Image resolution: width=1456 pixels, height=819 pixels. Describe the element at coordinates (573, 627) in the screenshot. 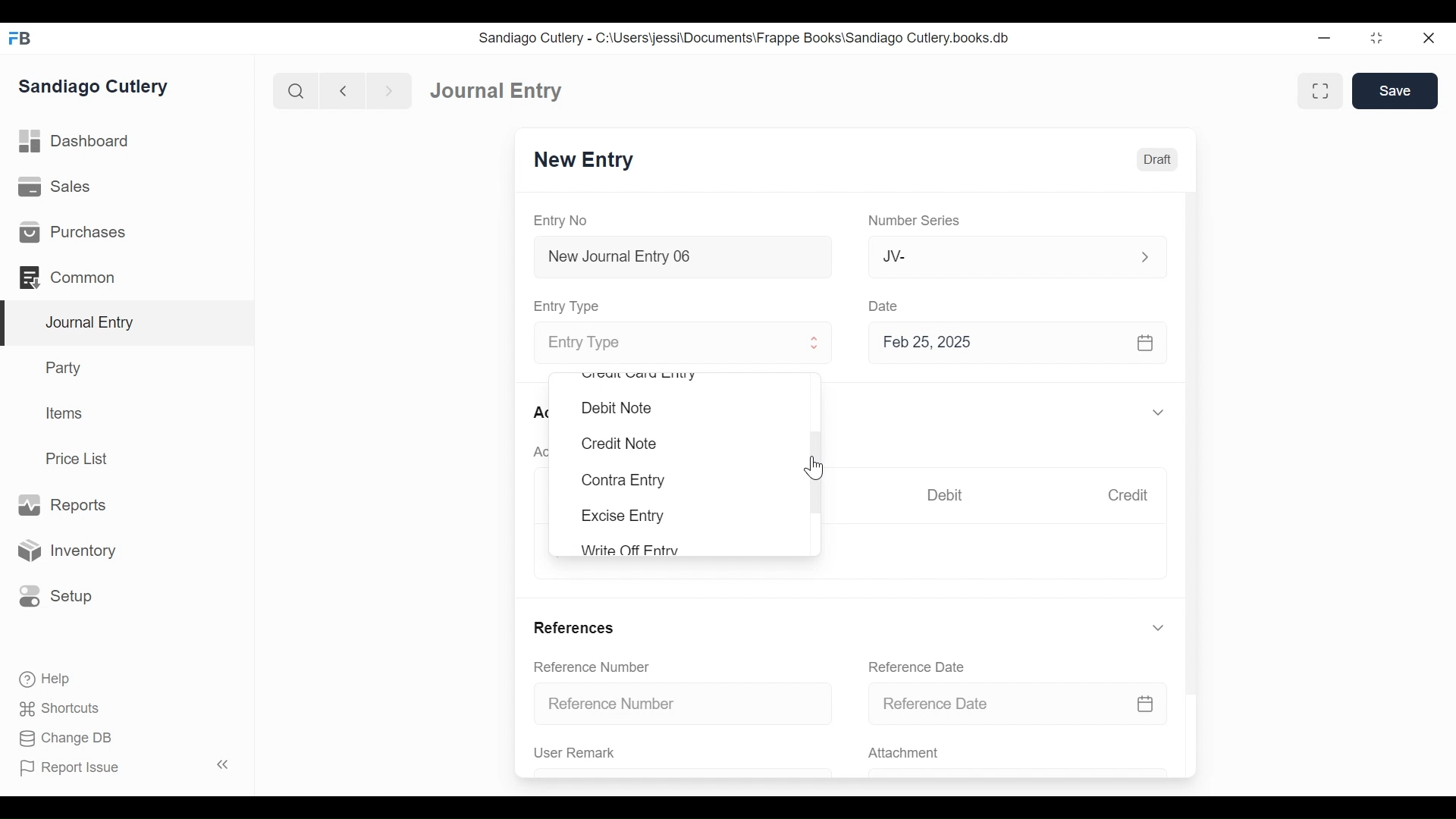

I see `References` at that location.